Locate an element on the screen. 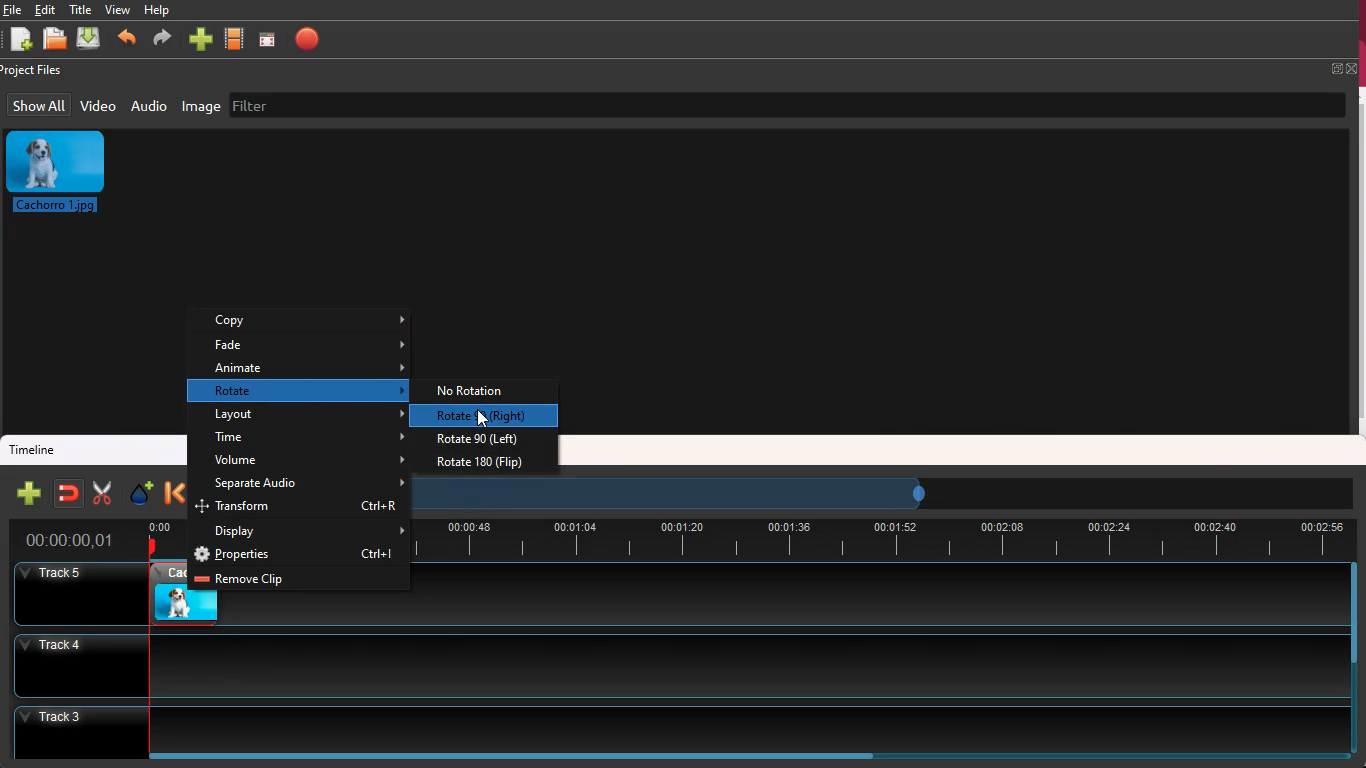 This screenshot has width=1366, height=768. cut is located at coordinates (102, 493).